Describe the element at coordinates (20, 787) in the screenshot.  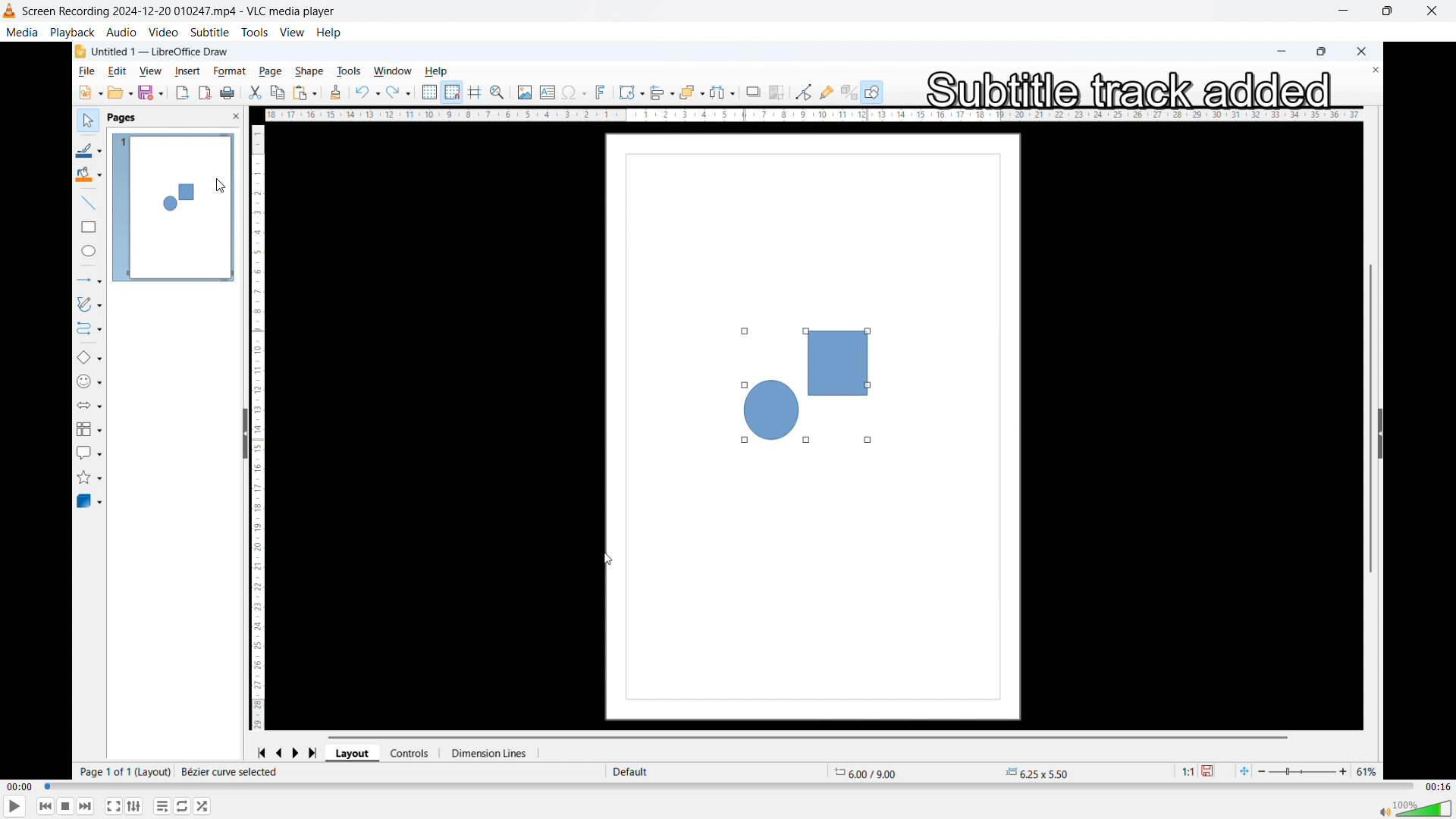
I see `Time elapsed ` at that location.